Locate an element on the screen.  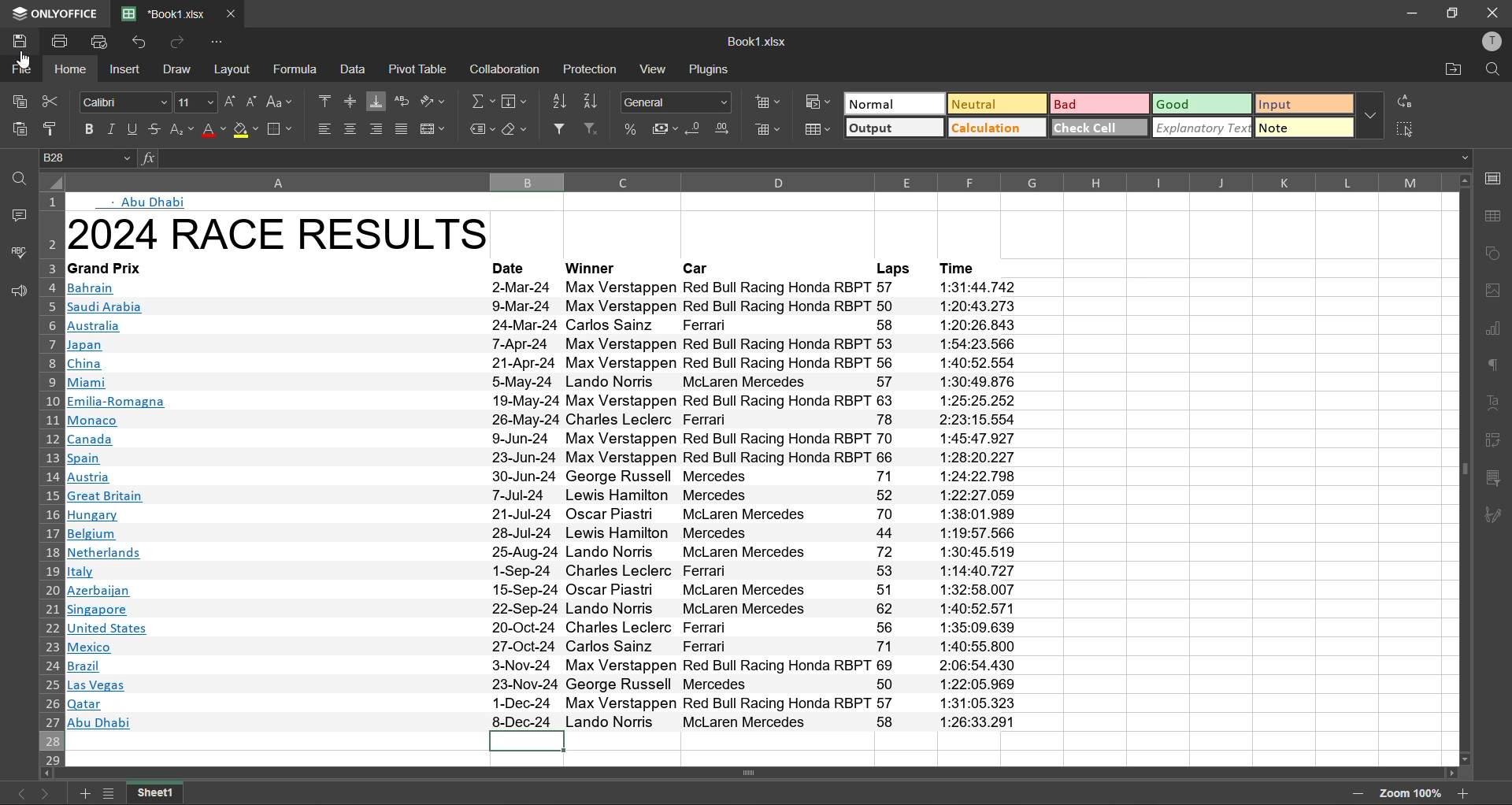
close tab is located at coordinates (235, 13).